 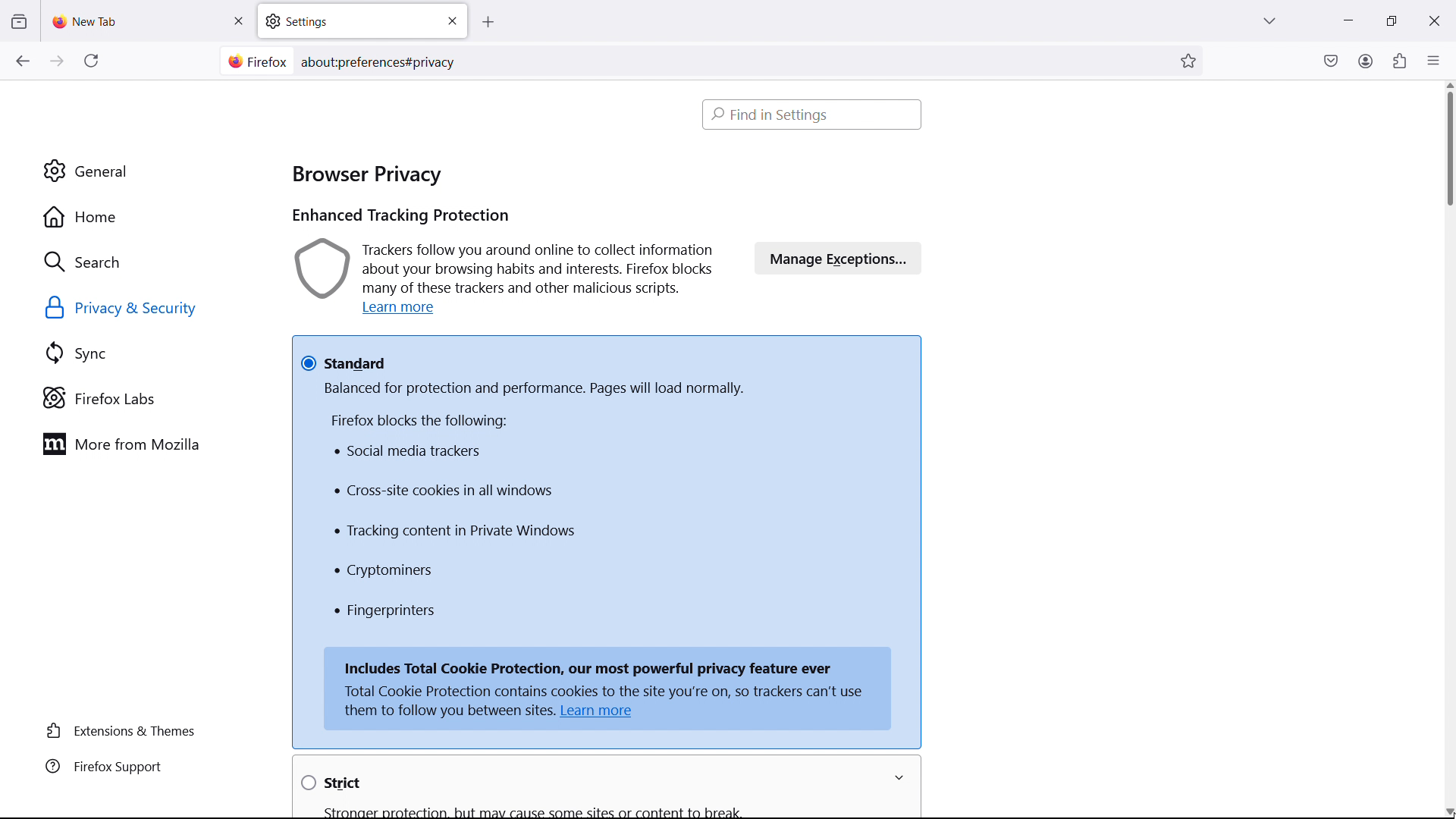 I want to click on scroll down, so click(x=1449, y=811).